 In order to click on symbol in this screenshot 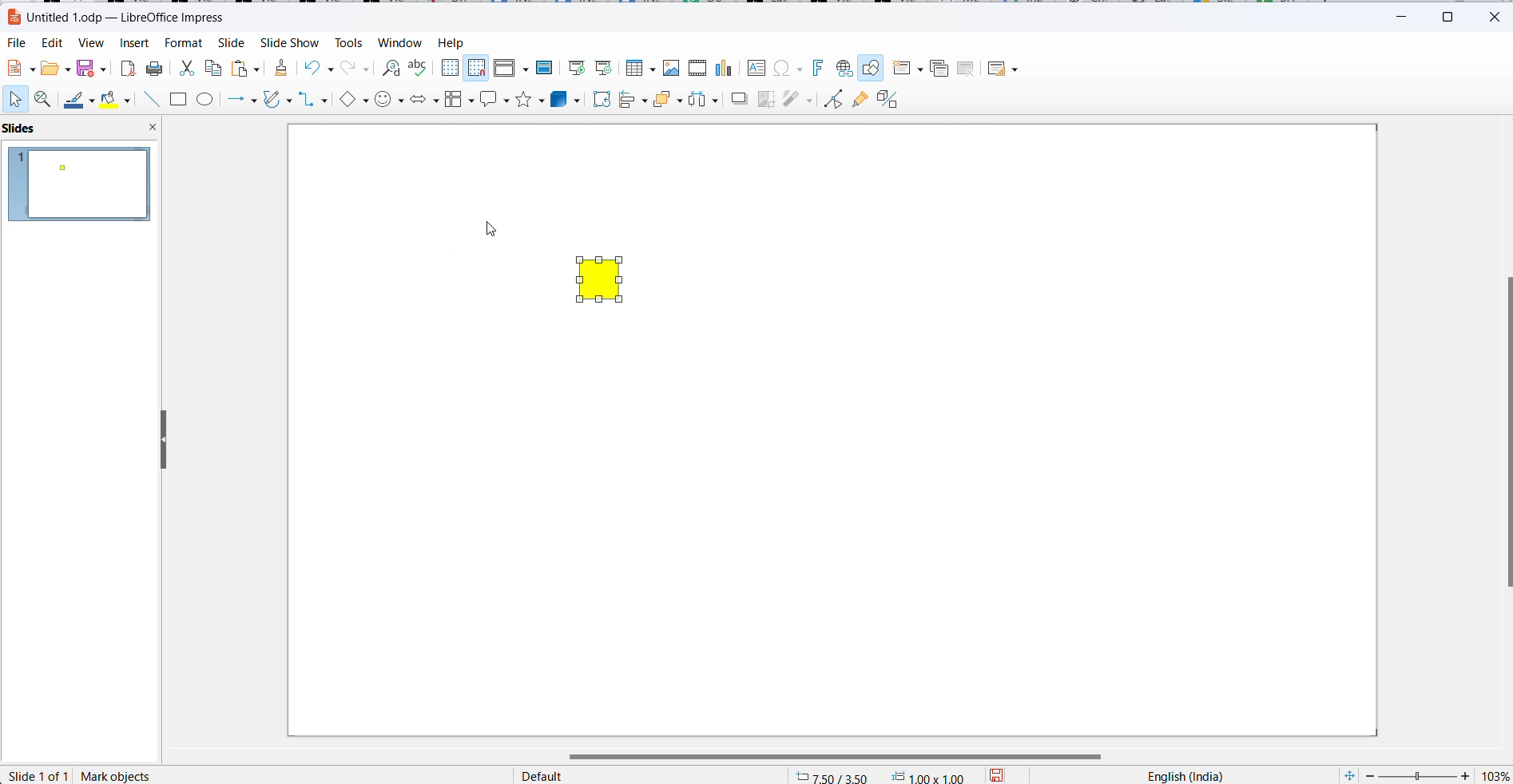, I will do `click(390, 101)`.